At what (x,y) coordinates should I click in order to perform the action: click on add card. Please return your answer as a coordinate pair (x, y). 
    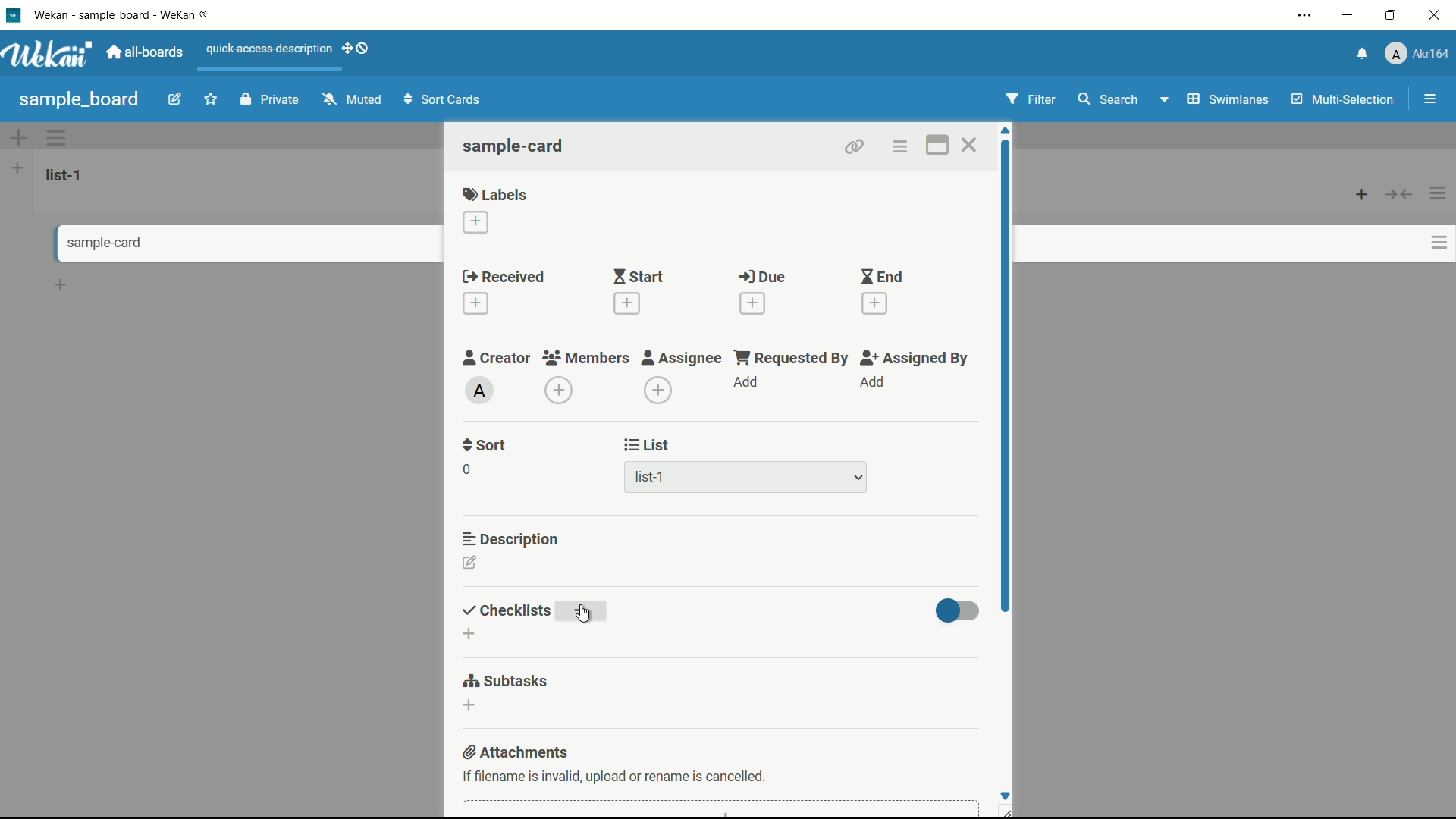
    Looking at the image, I should click on (1362, 193).